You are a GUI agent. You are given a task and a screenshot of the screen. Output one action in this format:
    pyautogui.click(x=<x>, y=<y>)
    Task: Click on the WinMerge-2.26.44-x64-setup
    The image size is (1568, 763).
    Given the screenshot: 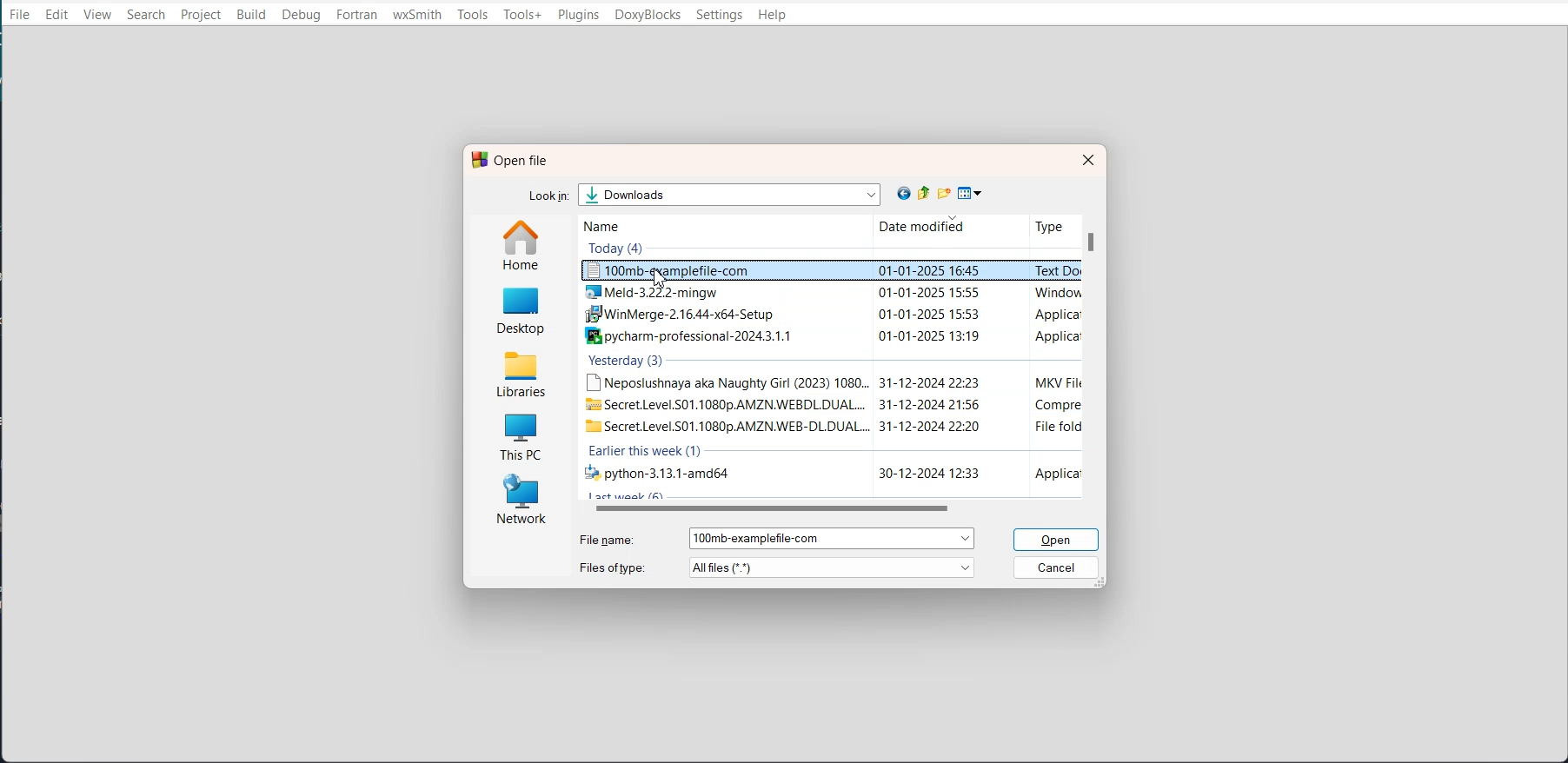 What is the action you would take?
    pyautogui.click(x=827, y=316)
    